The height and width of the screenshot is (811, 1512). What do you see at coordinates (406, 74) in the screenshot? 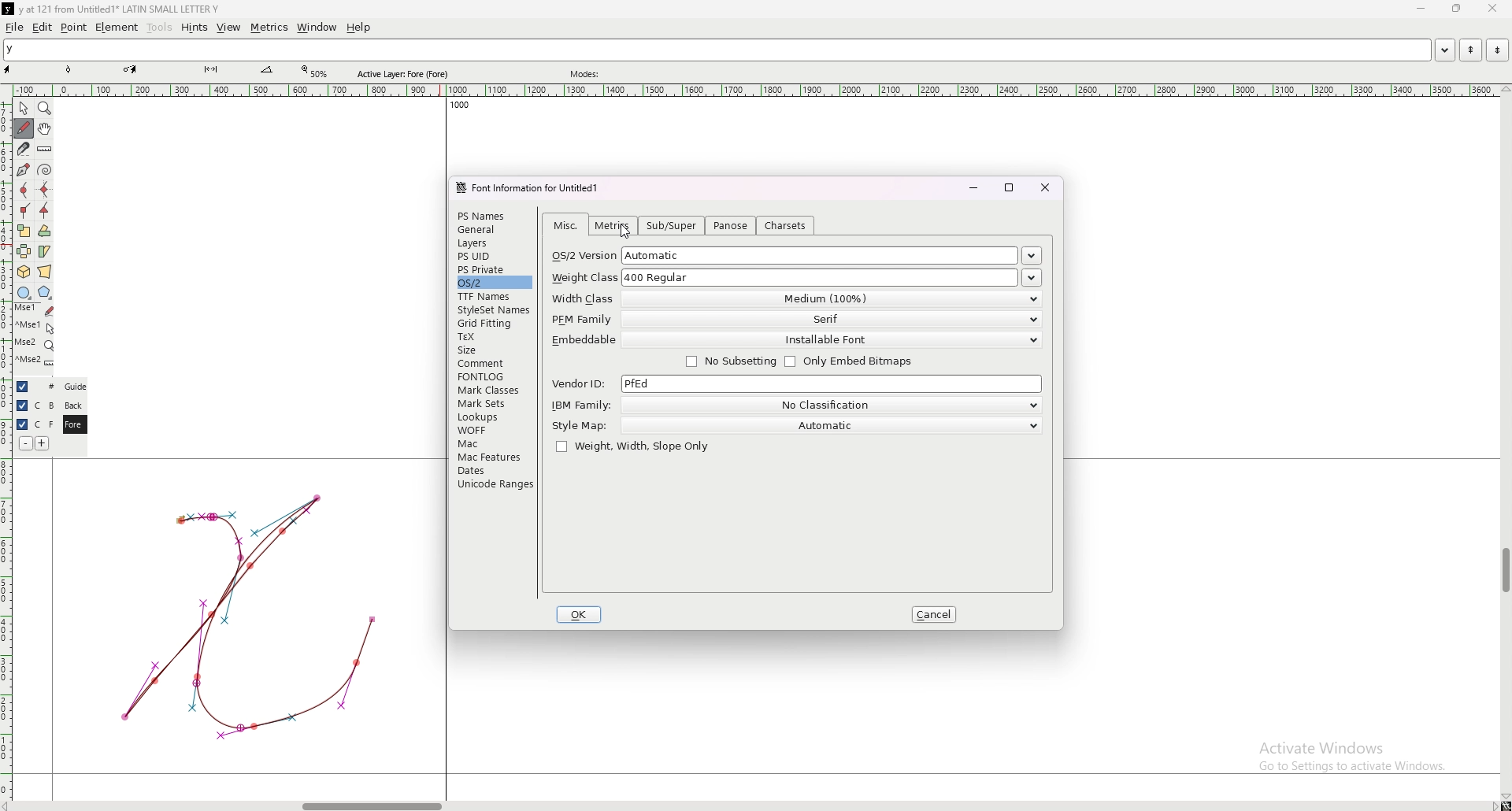
I see `active layer` at bounding box center [406, 74].